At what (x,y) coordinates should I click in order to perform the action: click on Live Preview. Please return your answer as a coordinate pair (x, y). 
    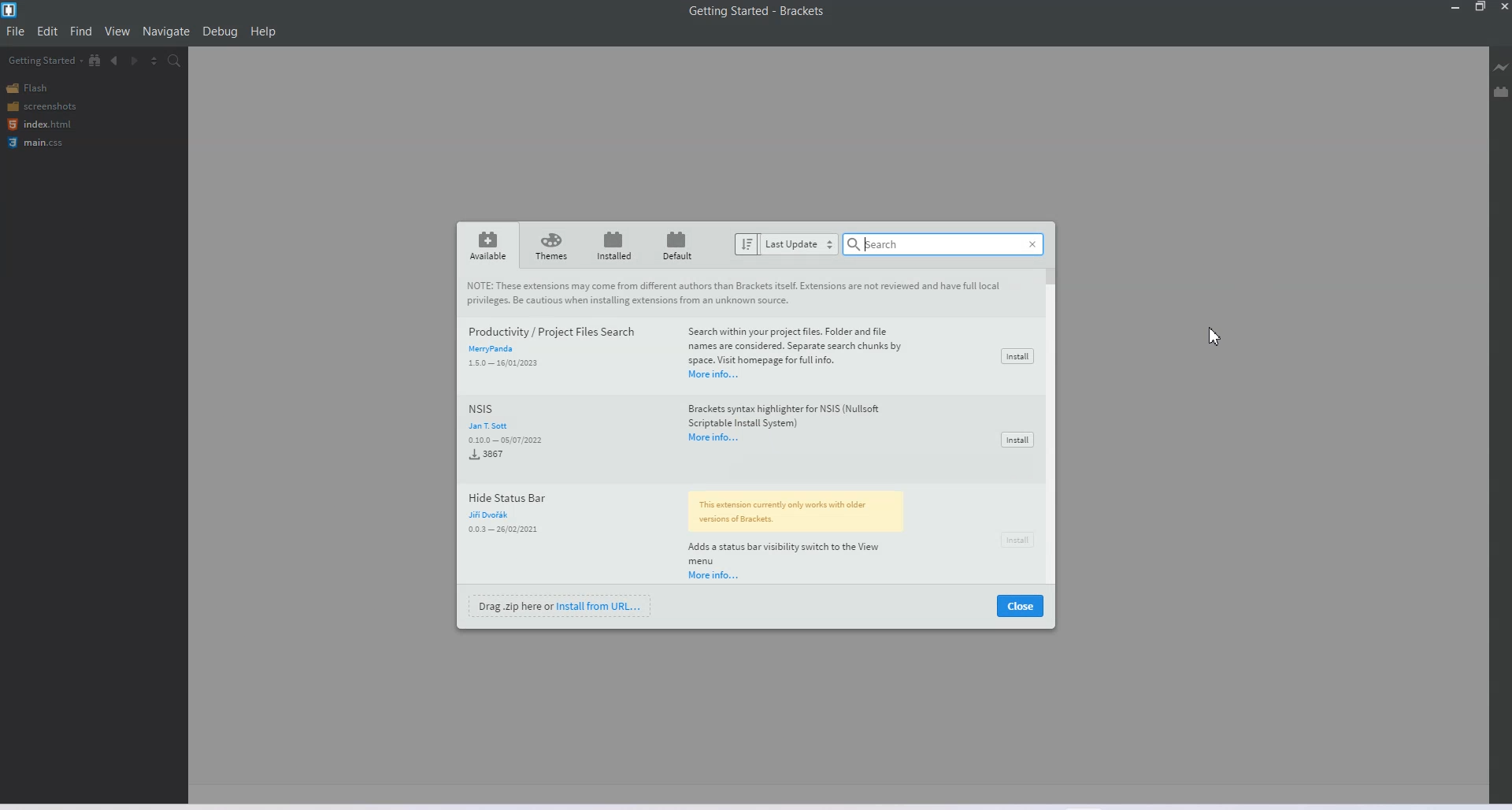
    Looking at the image, I should click on (1501, 67).